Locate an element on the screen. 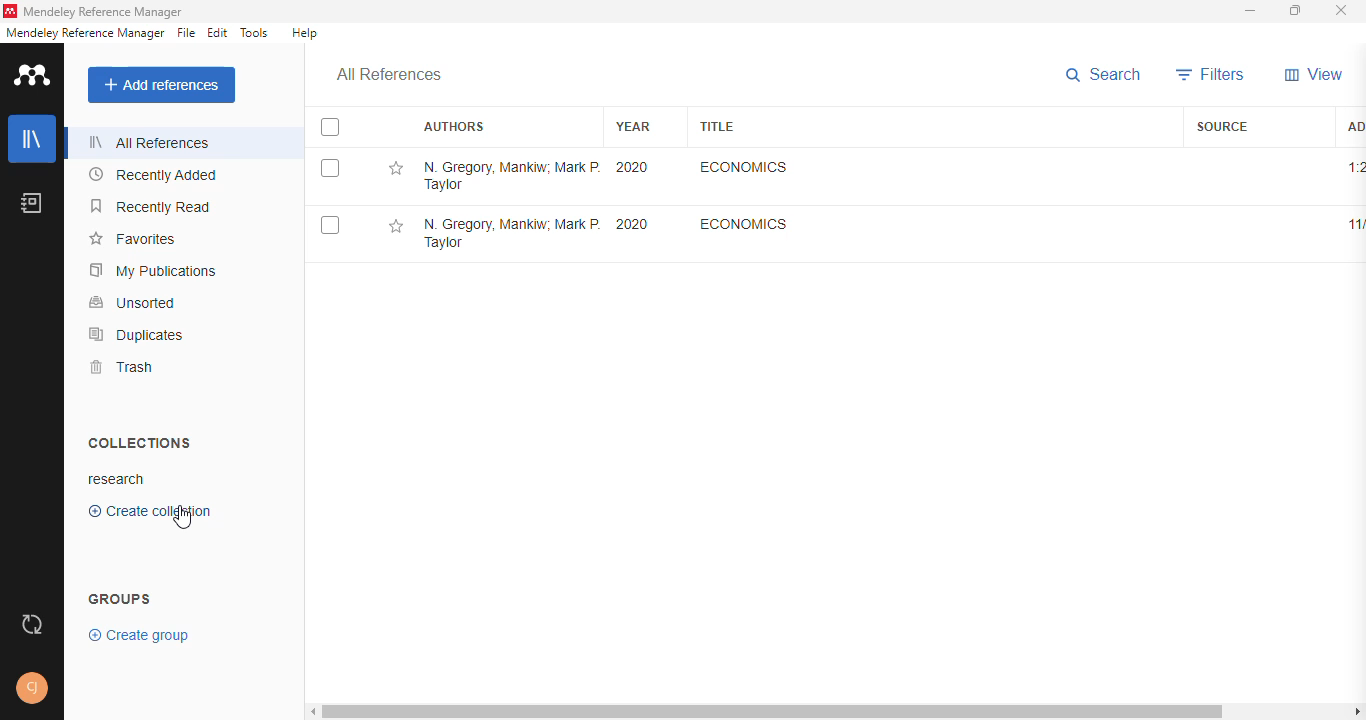 This screenshot has width=1366, height=720. recently read is located at coordinates (152, 206).